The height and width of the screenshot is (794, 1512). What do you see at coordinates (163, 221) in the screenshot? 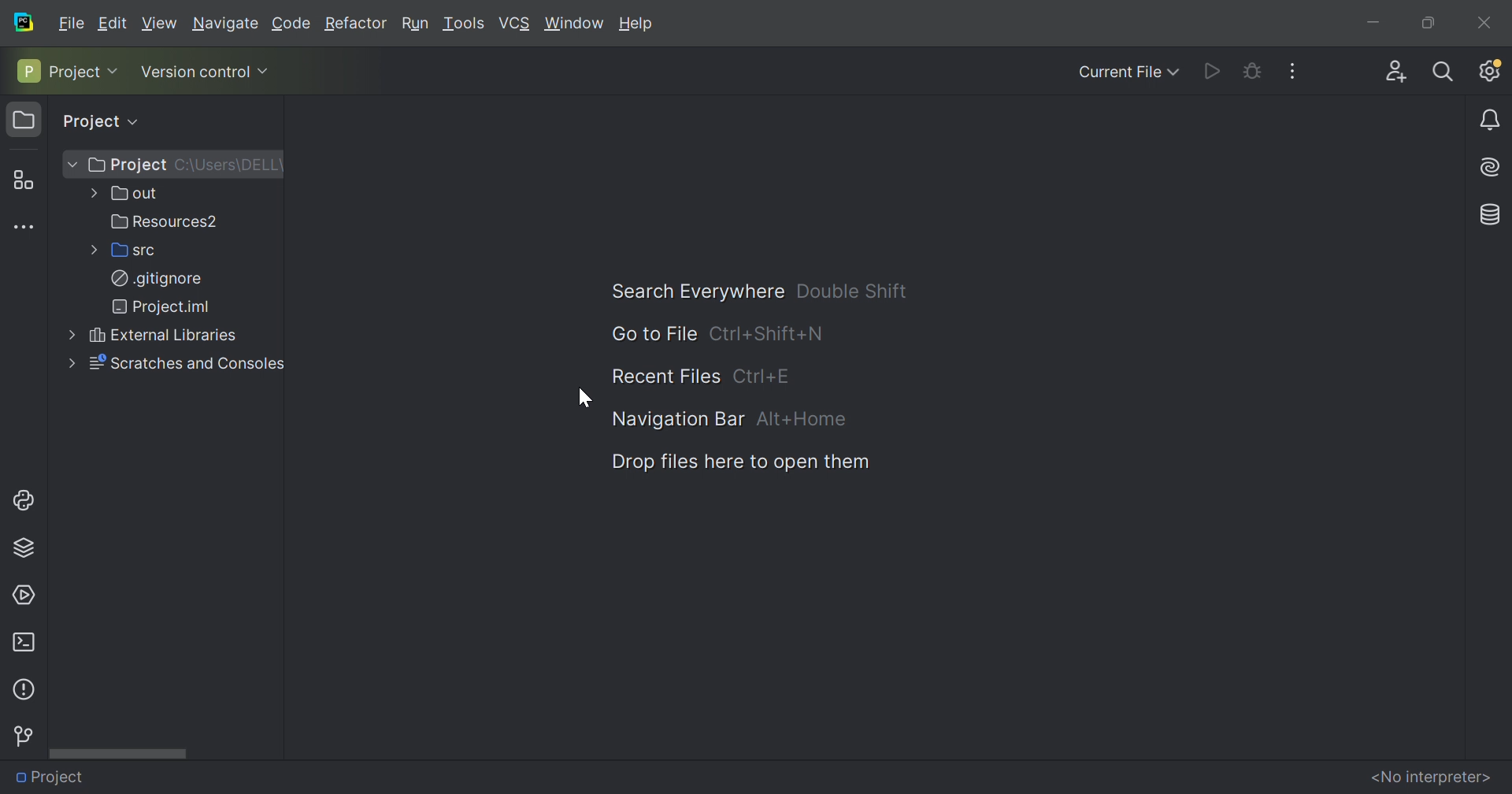
I see `Resources2` at bounding box center [163, 221].